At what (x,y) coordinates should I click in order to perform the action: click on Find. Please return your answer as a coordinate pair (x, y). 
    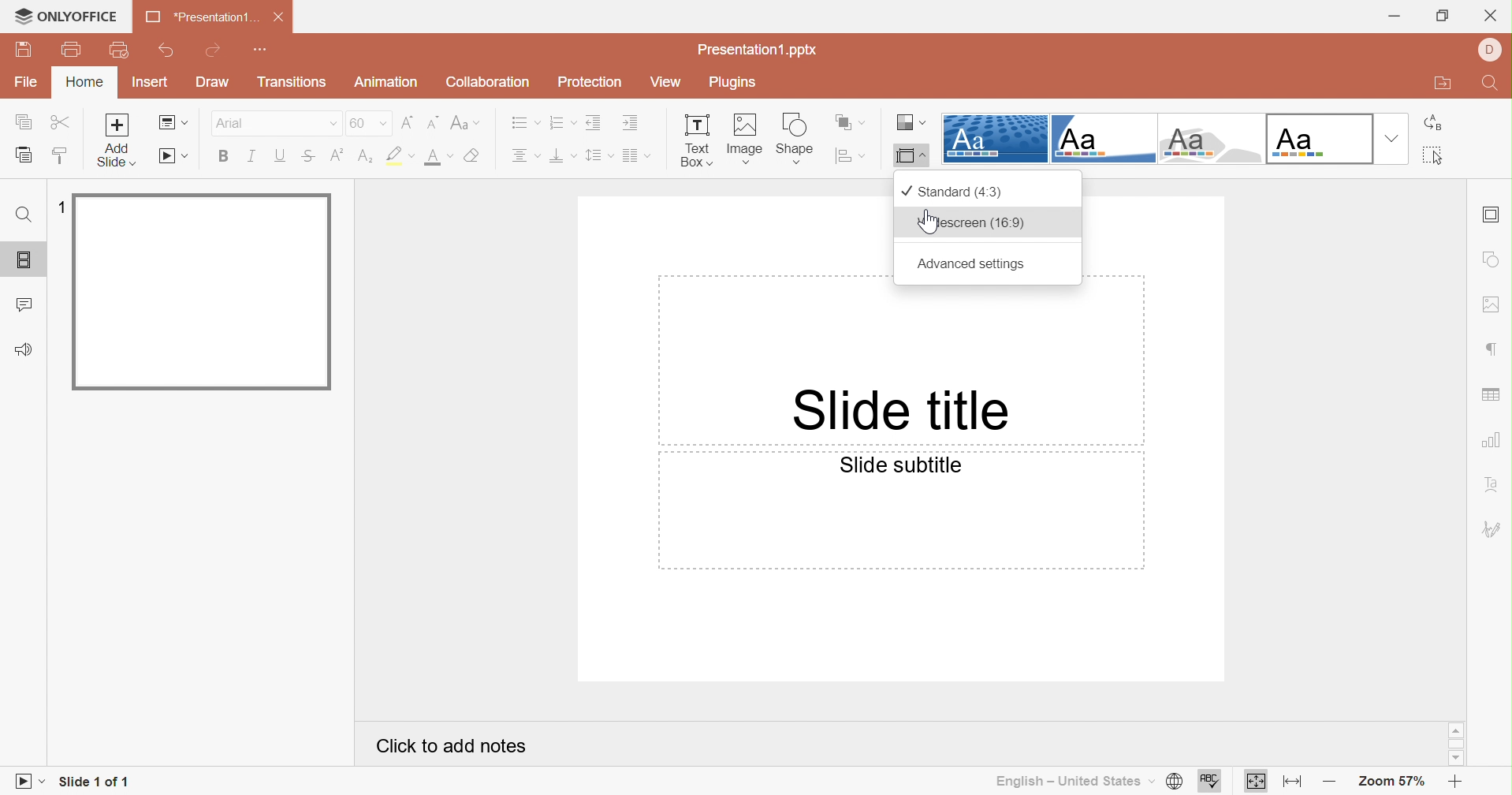
    Looking at the image, I should click on (24, 215).